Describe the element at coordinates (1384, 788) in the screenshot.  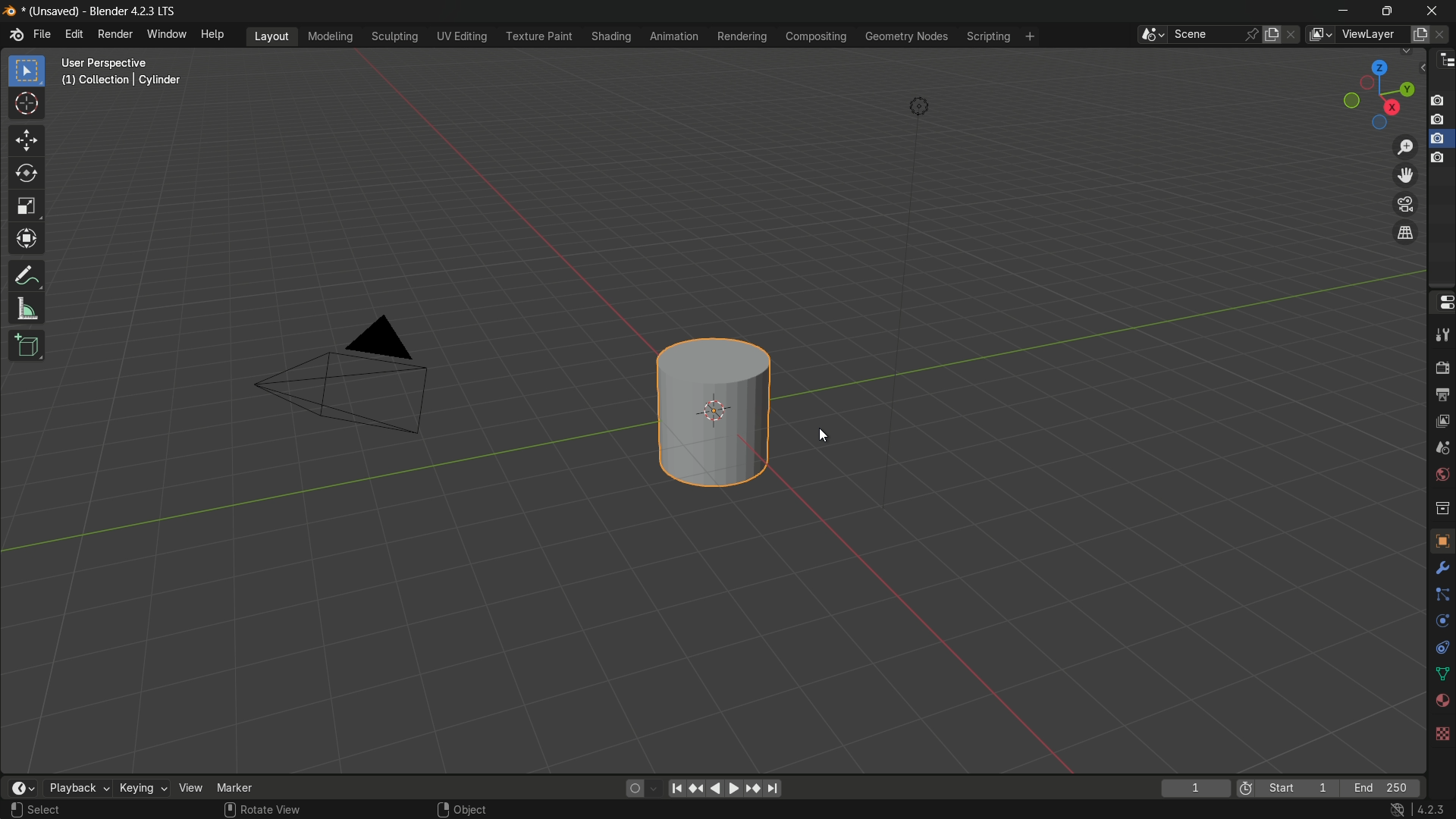
I see `End 250` at that location.